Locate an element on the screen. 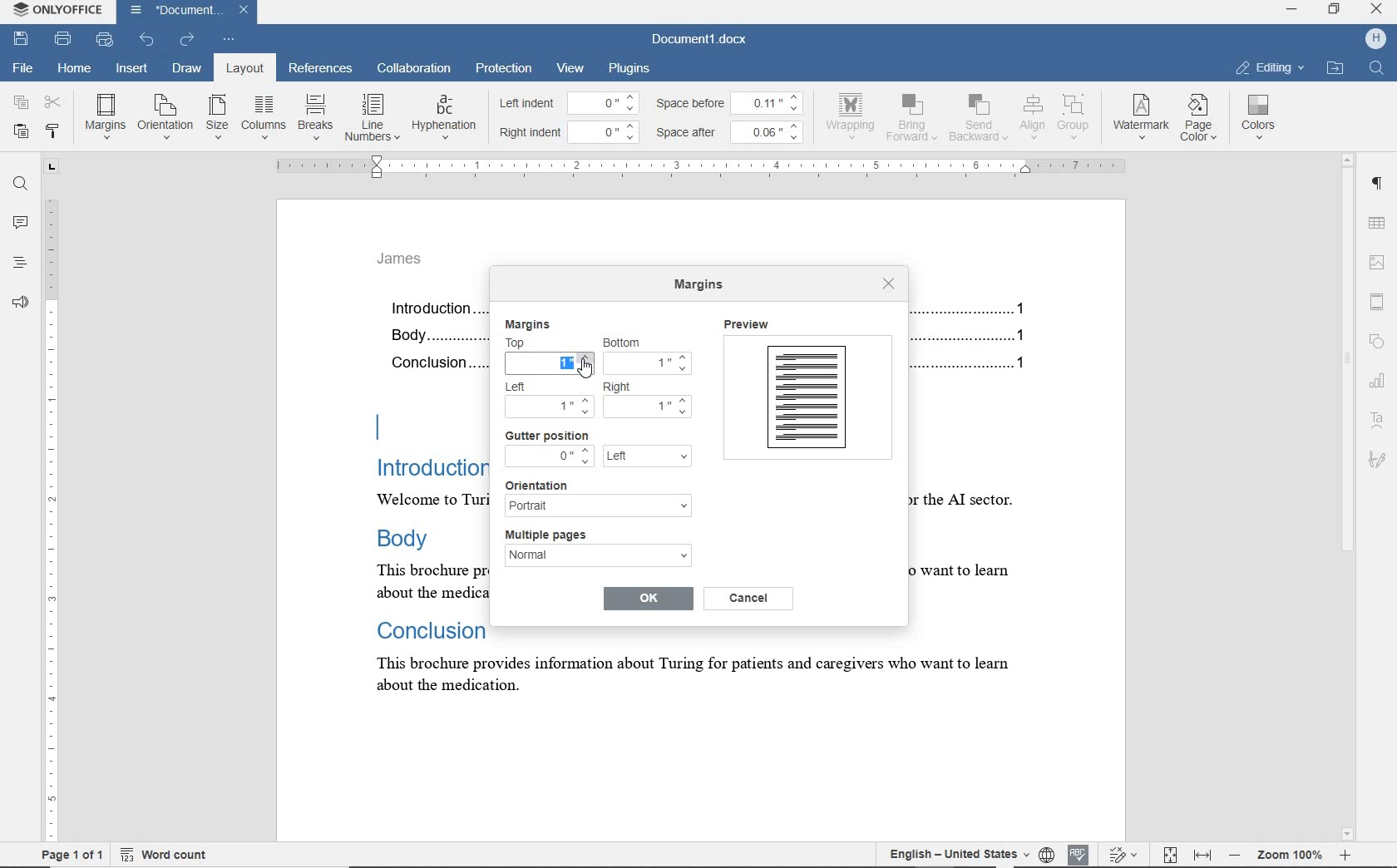 The image size is (1397, 868). cancel is located at coordinates (751, 598).